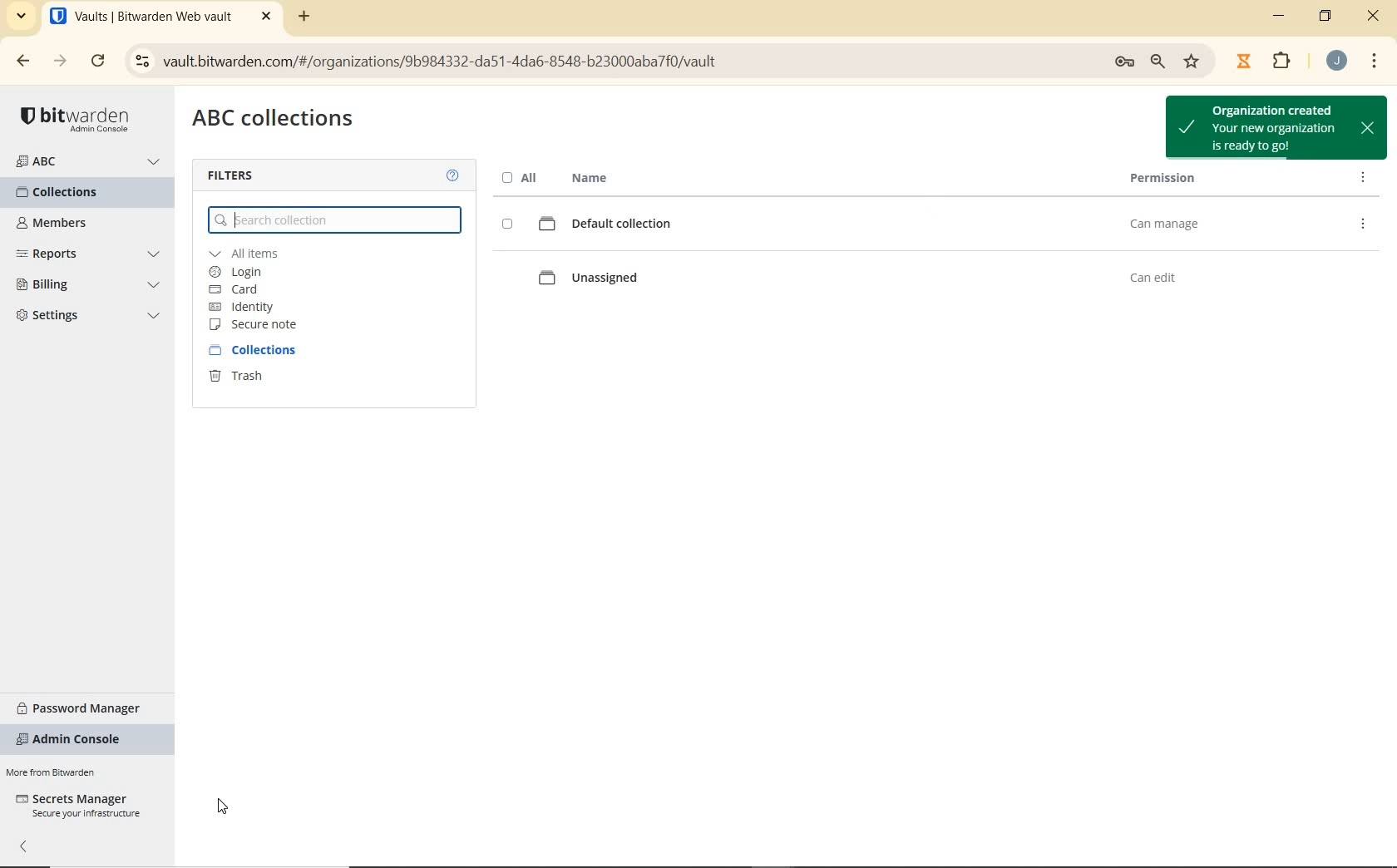 This screenshot has width=1397, height=868. What do you see at coordinates (252, 327) in the screenshot?
I see `secure note` at bounding box center [252, 327].